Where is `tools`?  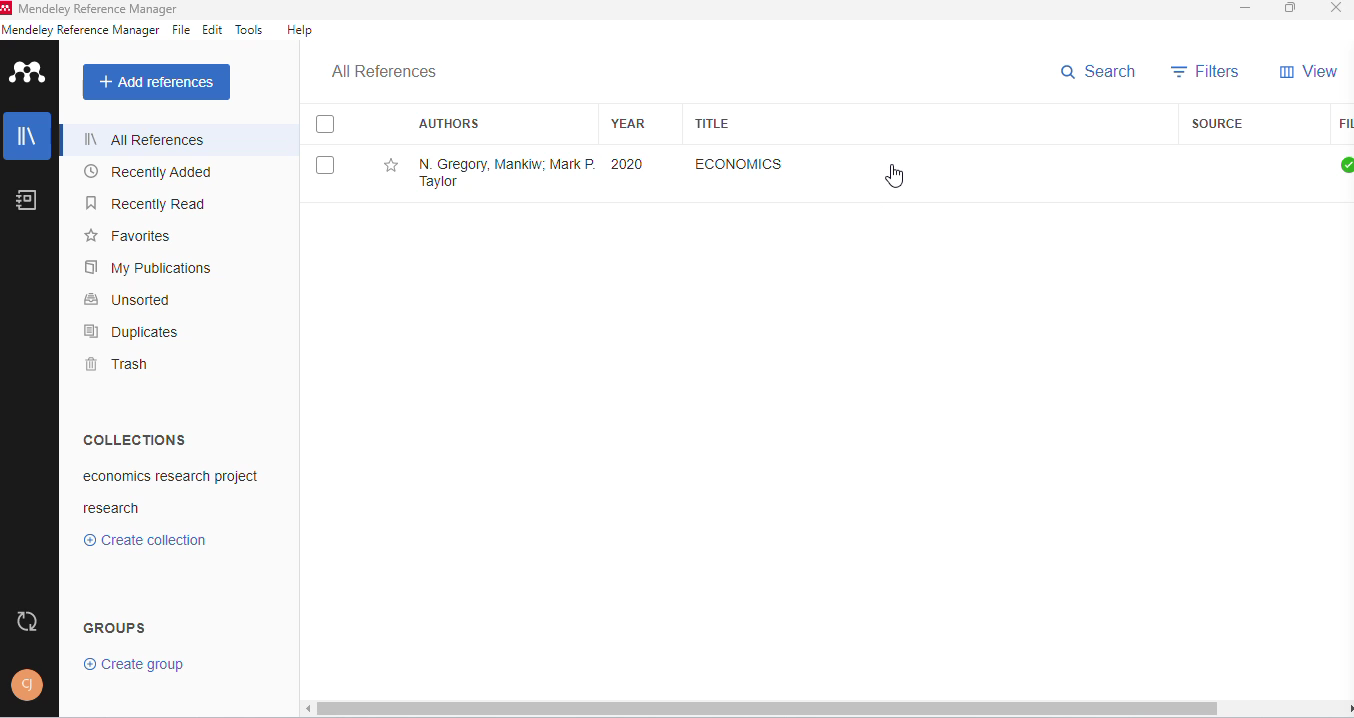
tools is located at coordinates (250, 30).